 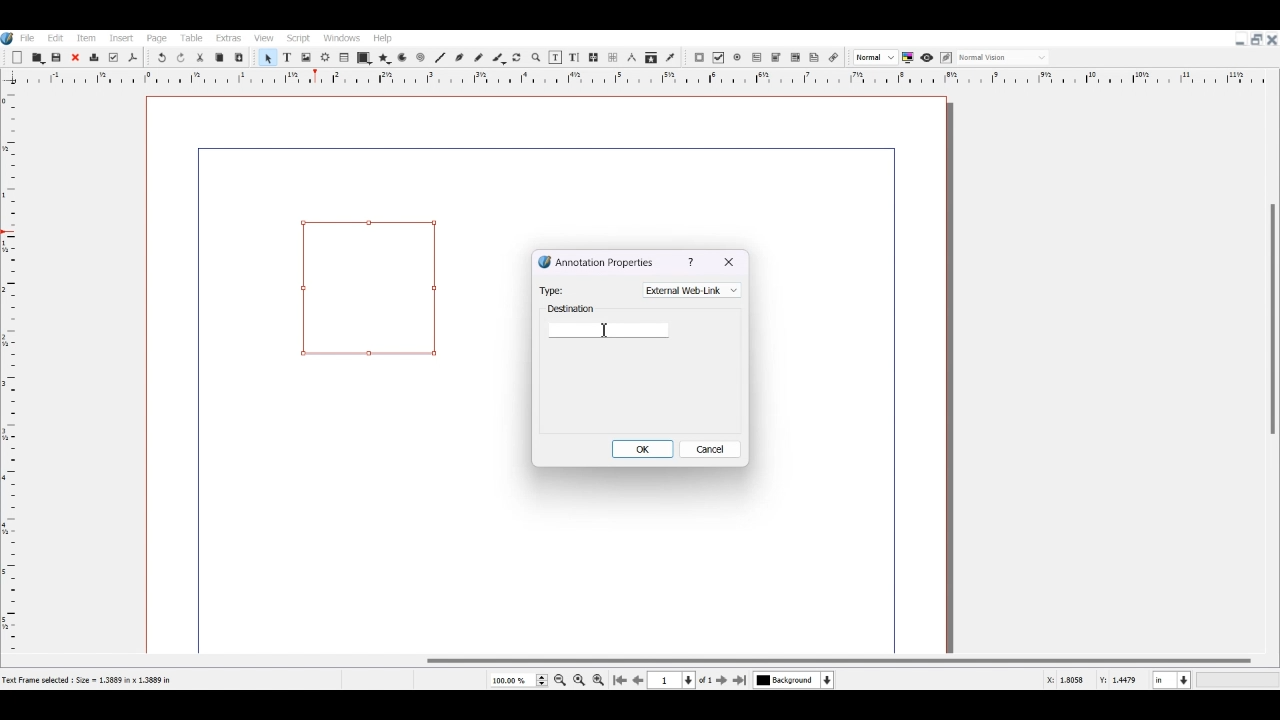 What do you see at coordinates (440, 57) in the screenshot?
I see `Line` at bounding box center [440, 57].